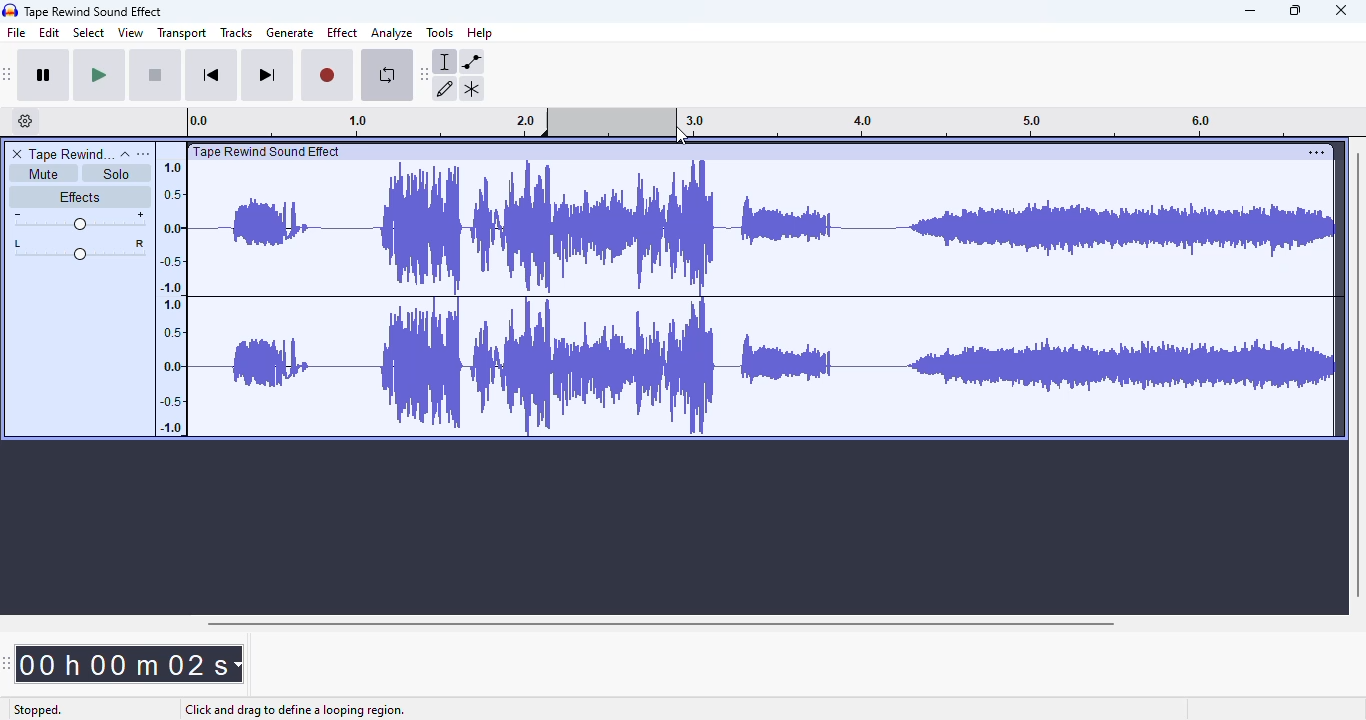  Describe the element at coordinates (684, 134) in the screenshot. I see `cursor` at that location.